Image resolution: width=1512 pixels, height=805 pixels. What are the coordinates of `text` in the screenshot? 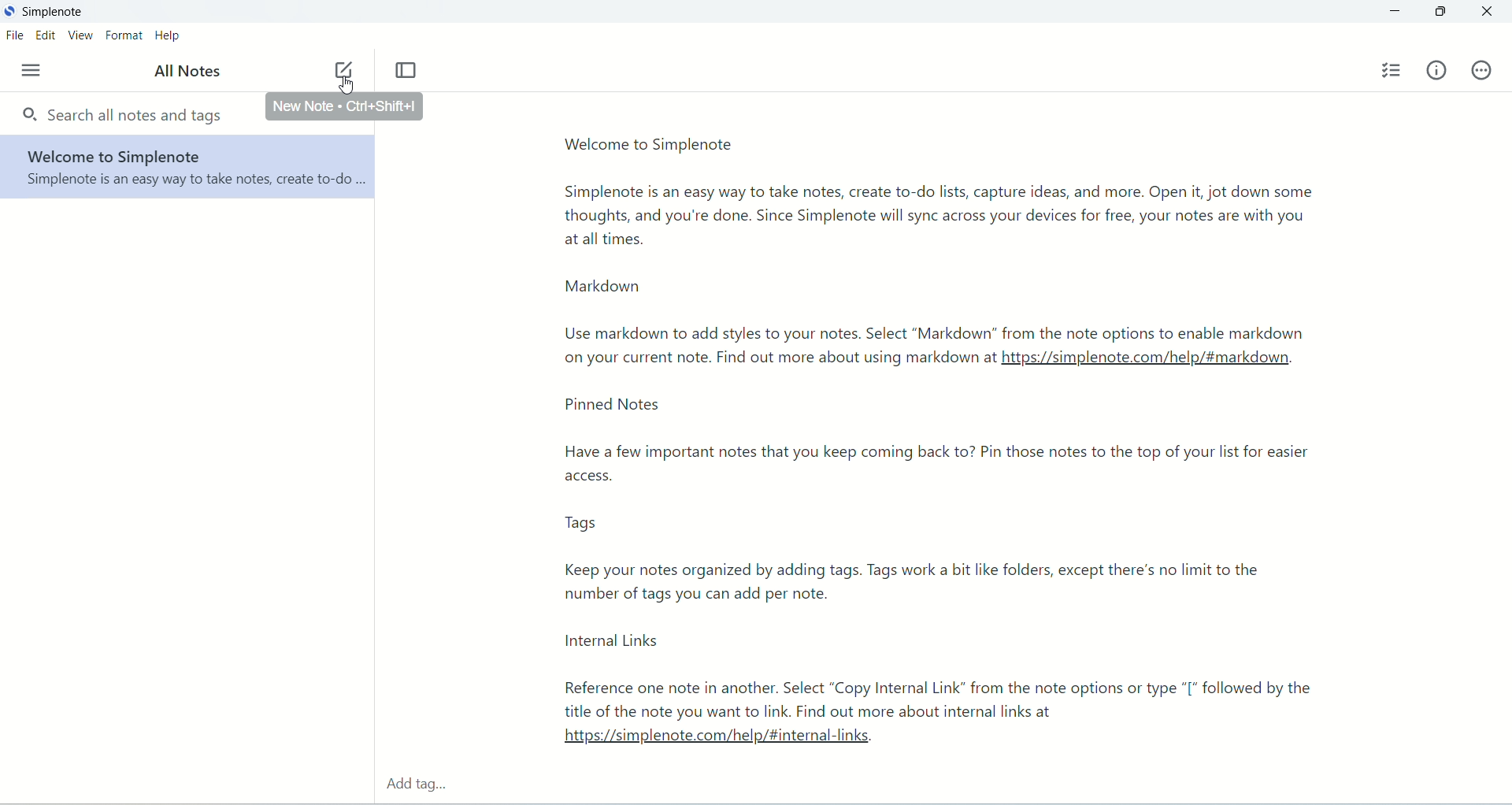 It's located at (925, 444).